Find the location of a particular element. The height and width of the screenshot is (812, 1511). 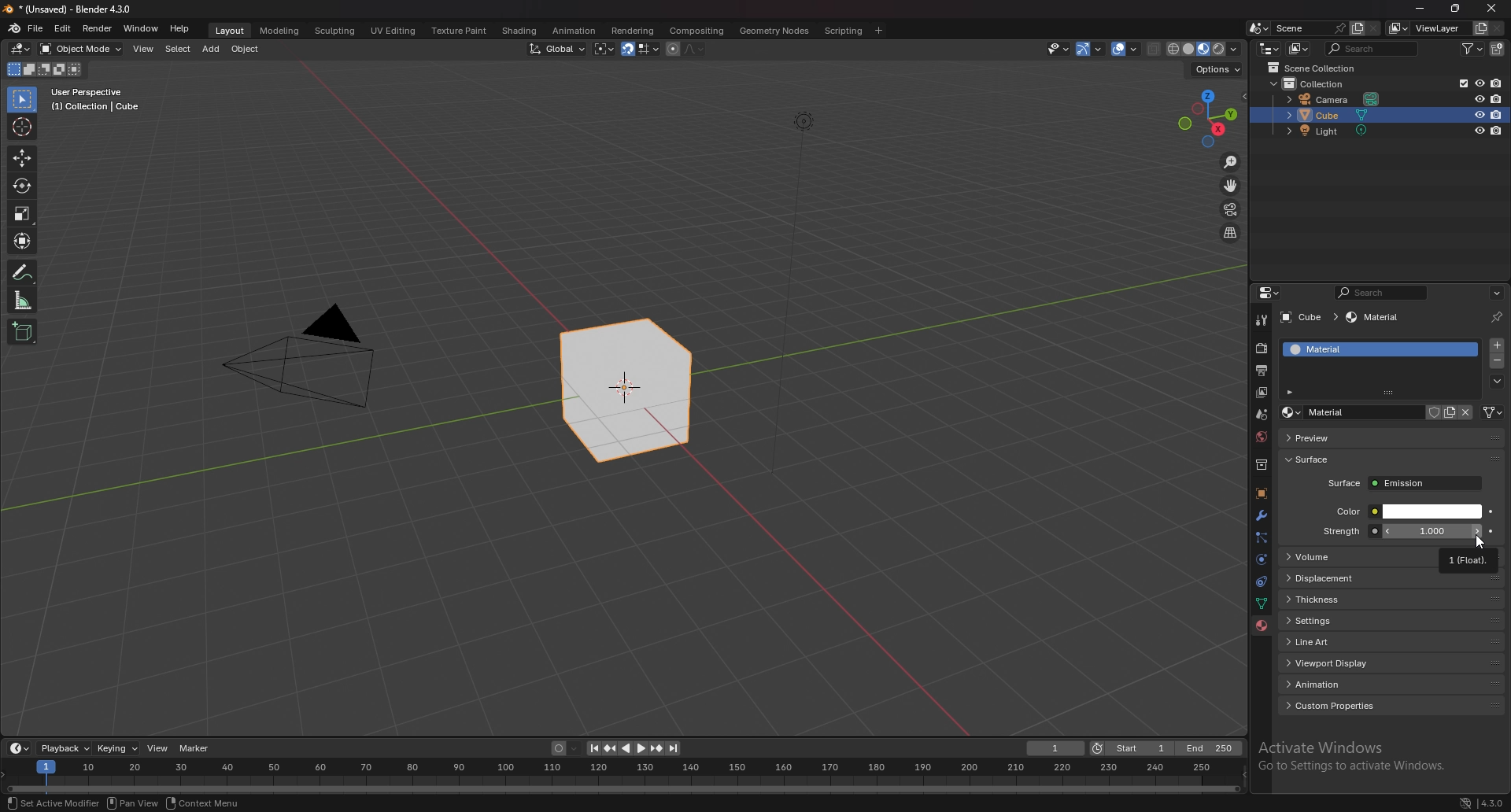

move is located at coordinates (21, 159).